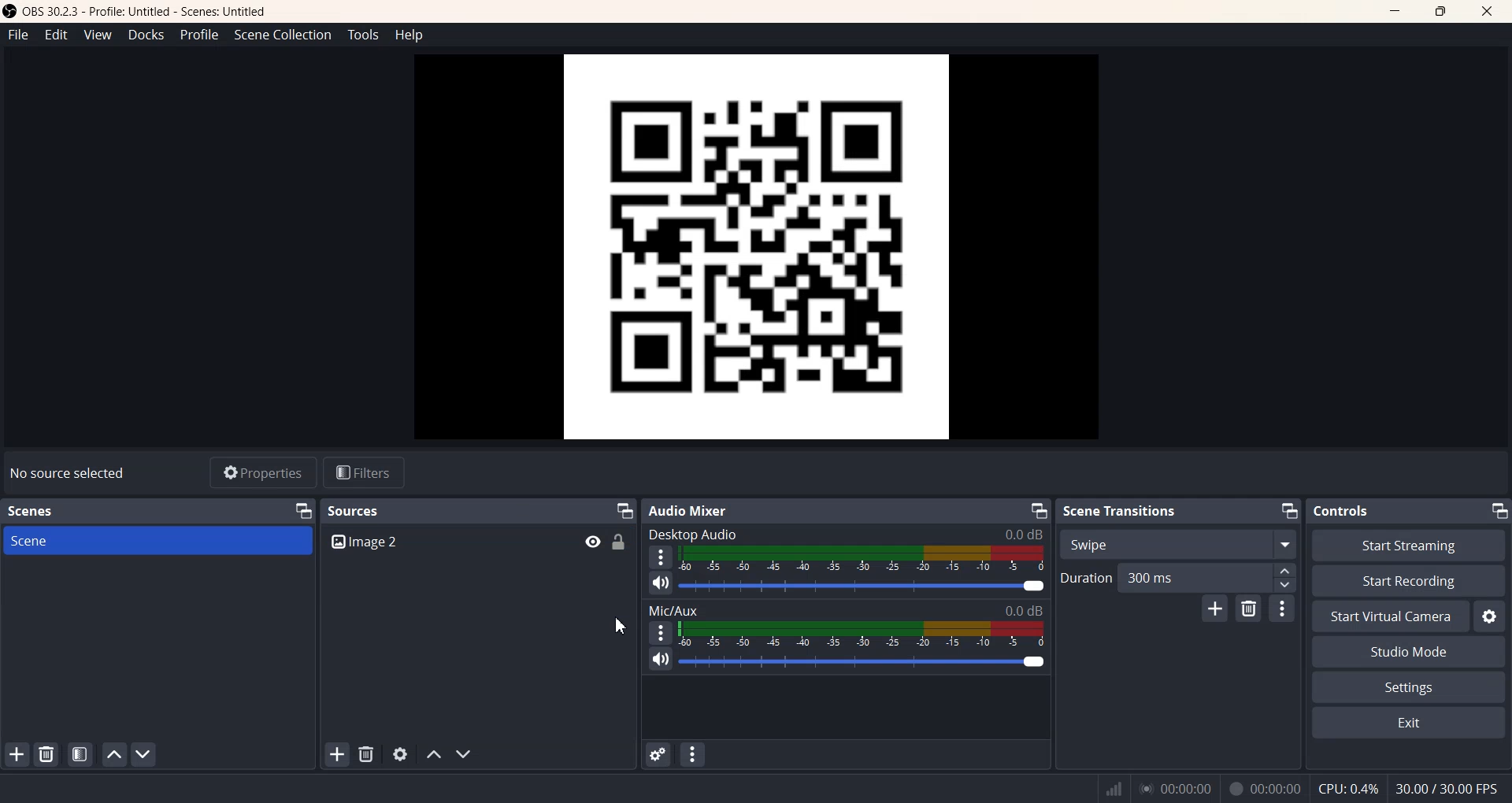 Image resolution: width=1512 pixels, height=803 pixels. What do you see at coordinates (1283, 608) in the screenshot?
I see `Transition properties` at bounding box center [1283, 608].